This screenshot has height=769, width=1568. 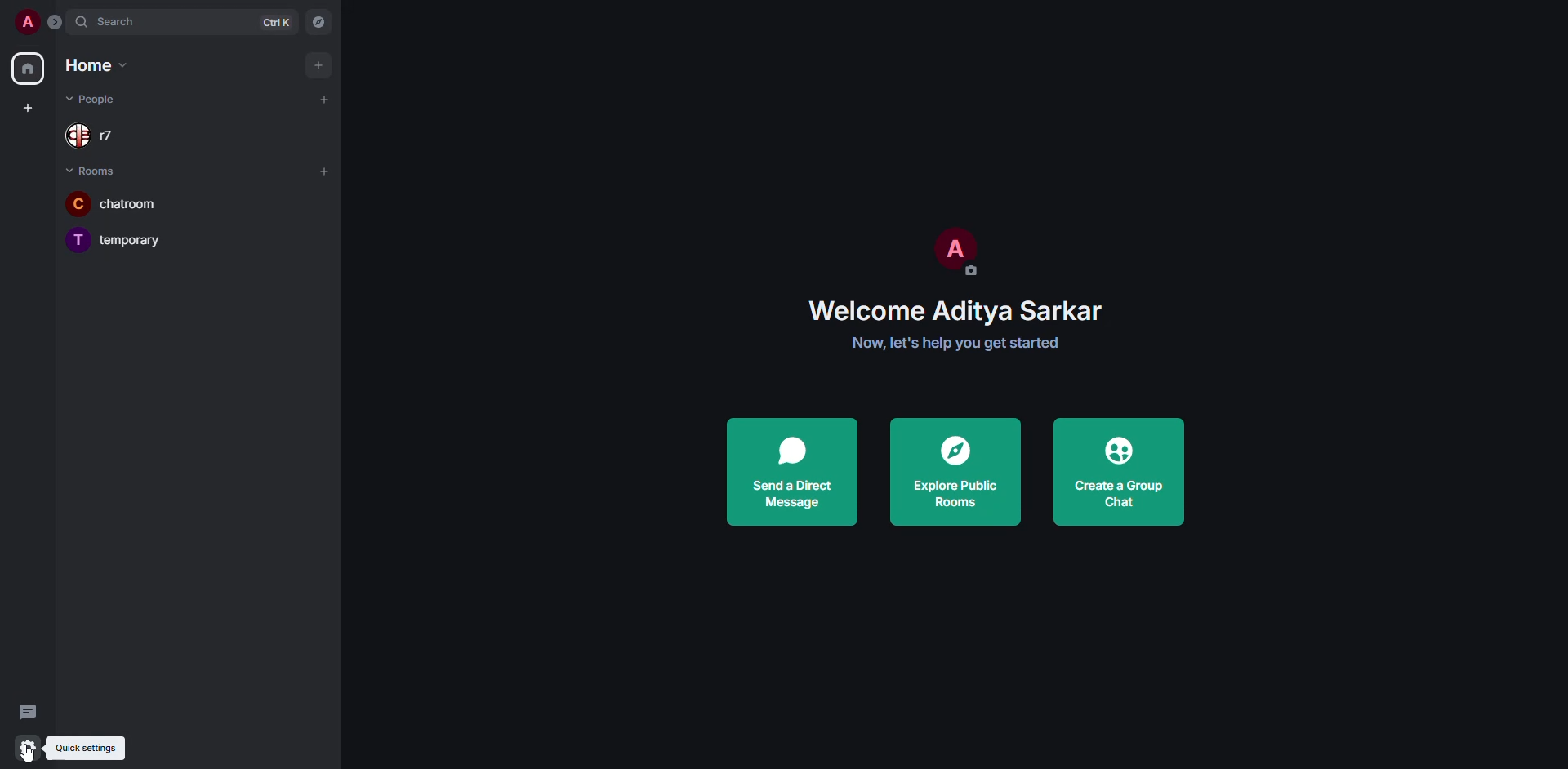 What do you see at coordinates (318, 67) in the screenshot?
I see `add` at bounding box center [318, 67].